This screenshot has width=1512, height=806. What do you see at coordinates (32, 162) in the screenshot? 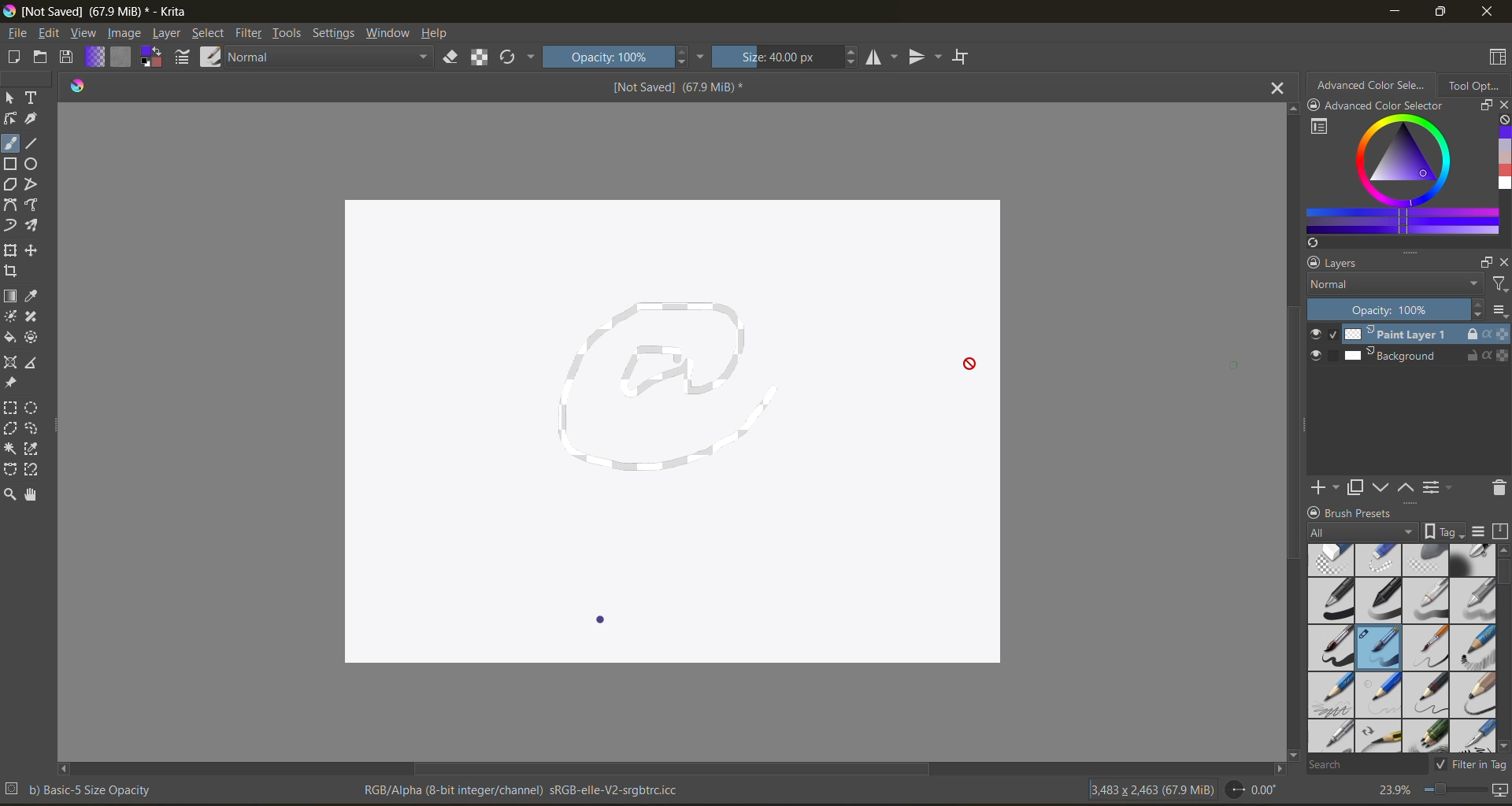
I see `ellipse` at bounding box center [32, 162].